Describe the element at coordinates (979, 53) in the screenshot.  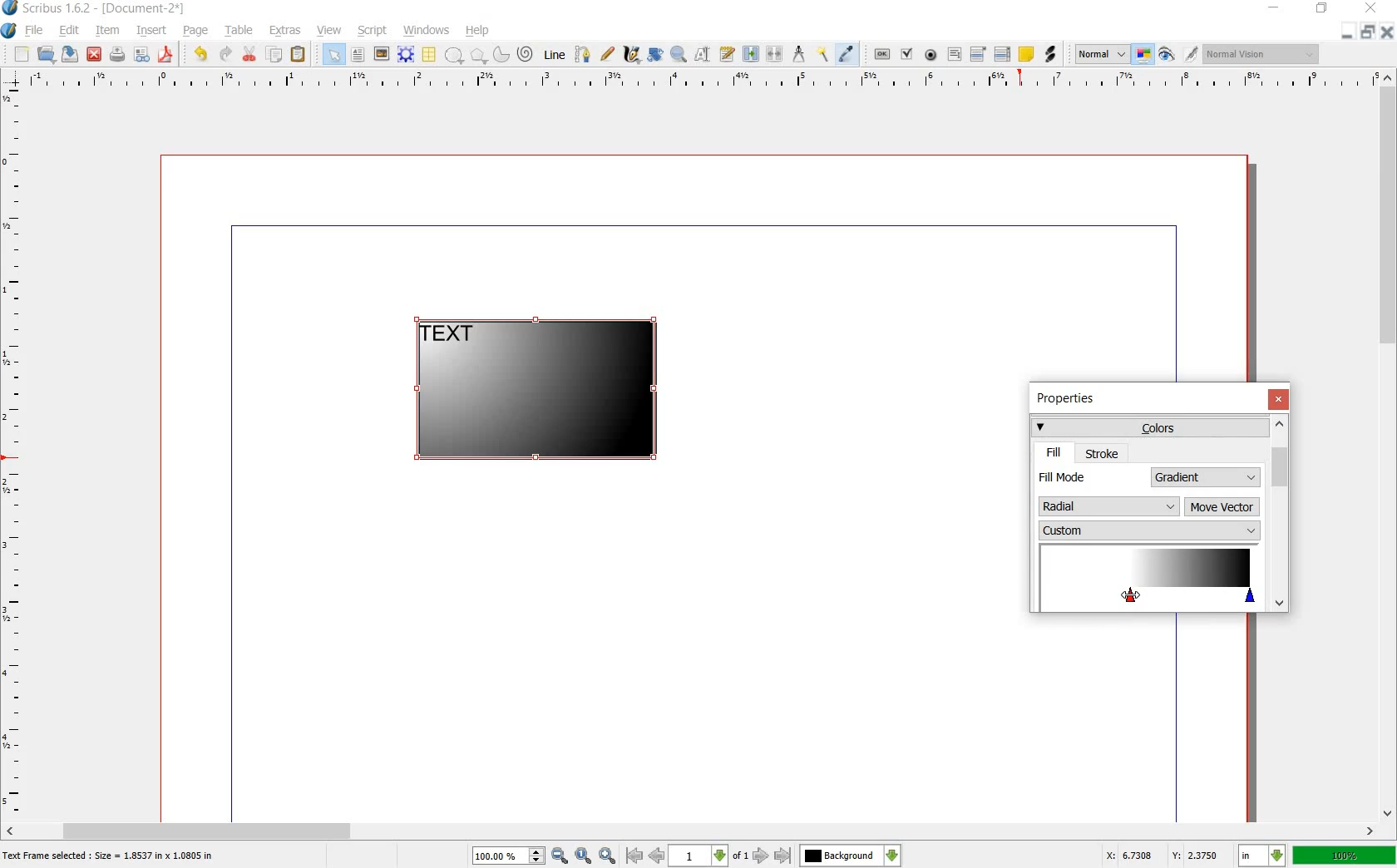
I see `pdf combo box` at that location.